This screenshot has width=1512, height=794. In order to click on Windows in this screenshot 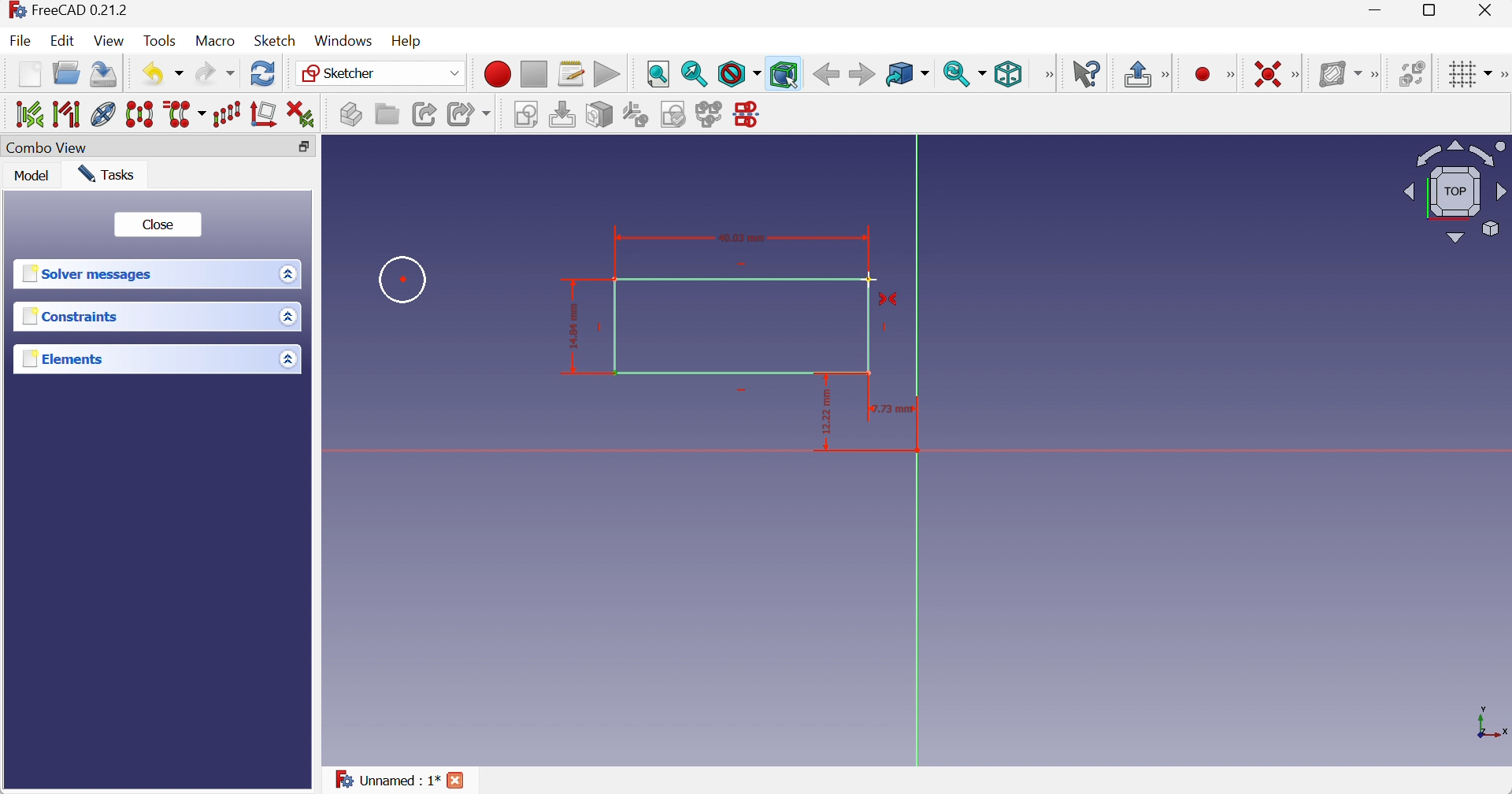, I will do `click(344, 41)`.